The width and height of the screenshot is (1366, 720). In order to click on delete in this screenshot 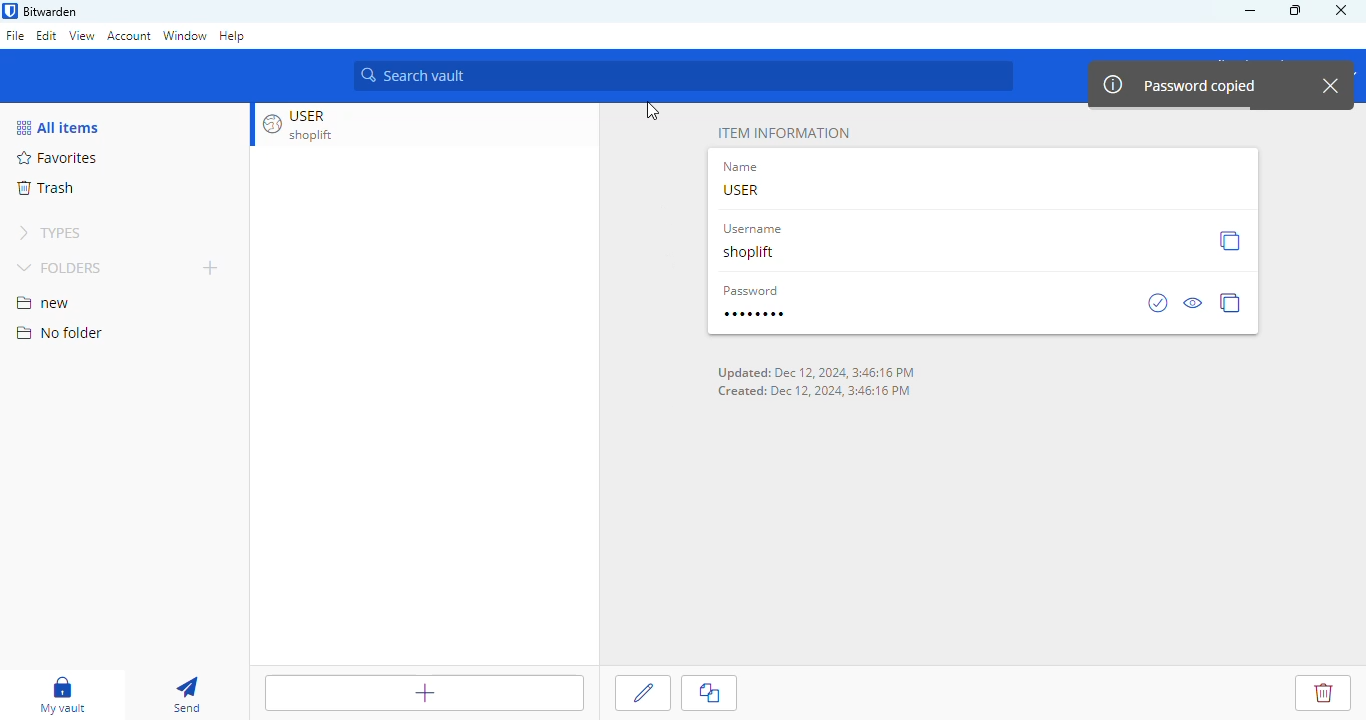, I will do `click(1316, 689)`.